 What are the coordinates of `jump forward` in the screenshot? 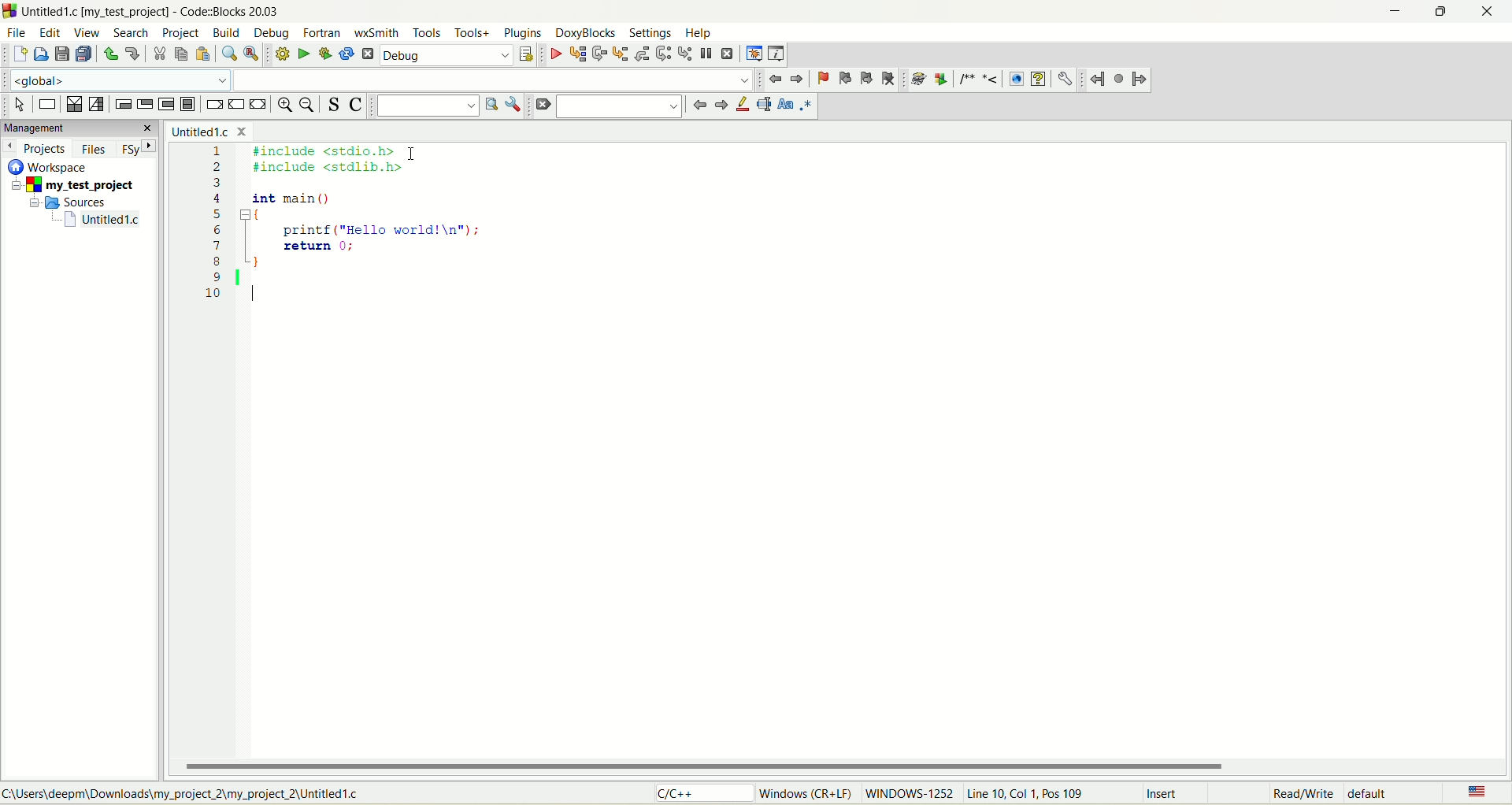 It's located at (1141, 82).